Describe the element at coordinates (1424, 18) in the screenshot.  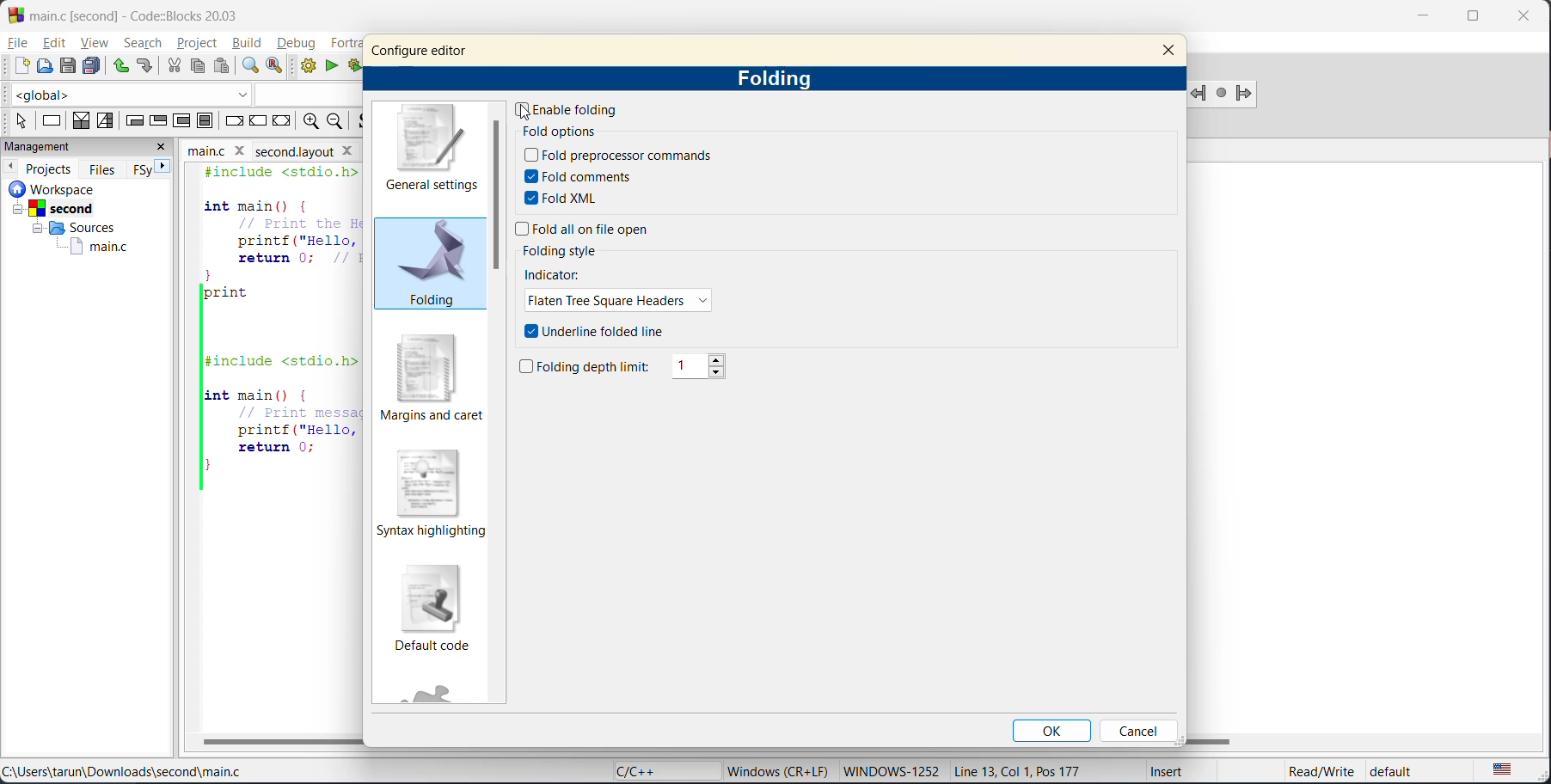
I see `minimize` at that location.